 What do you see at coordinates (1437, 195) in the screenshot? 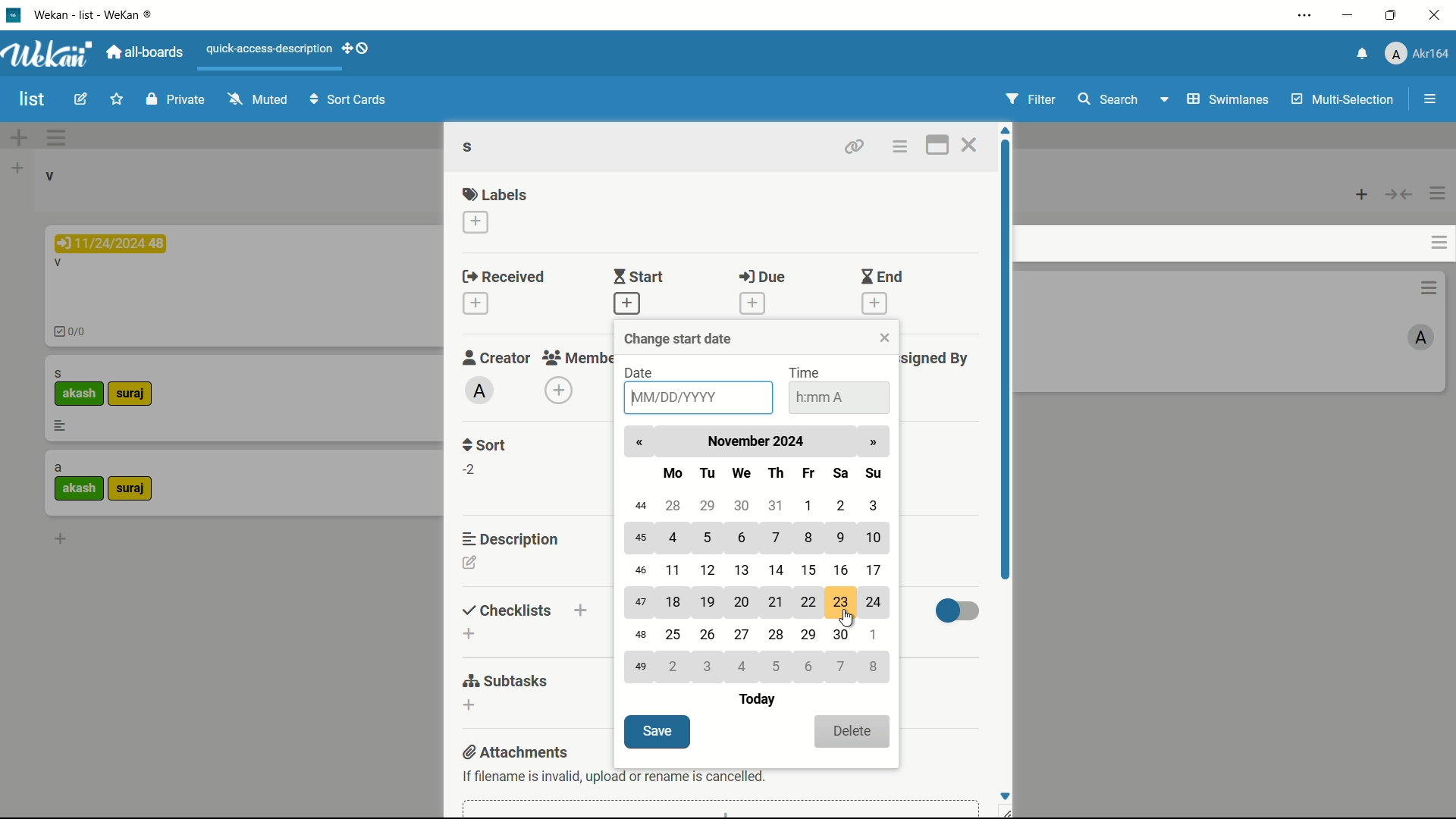
I see `list actions` at bounding box center [1437, 195].